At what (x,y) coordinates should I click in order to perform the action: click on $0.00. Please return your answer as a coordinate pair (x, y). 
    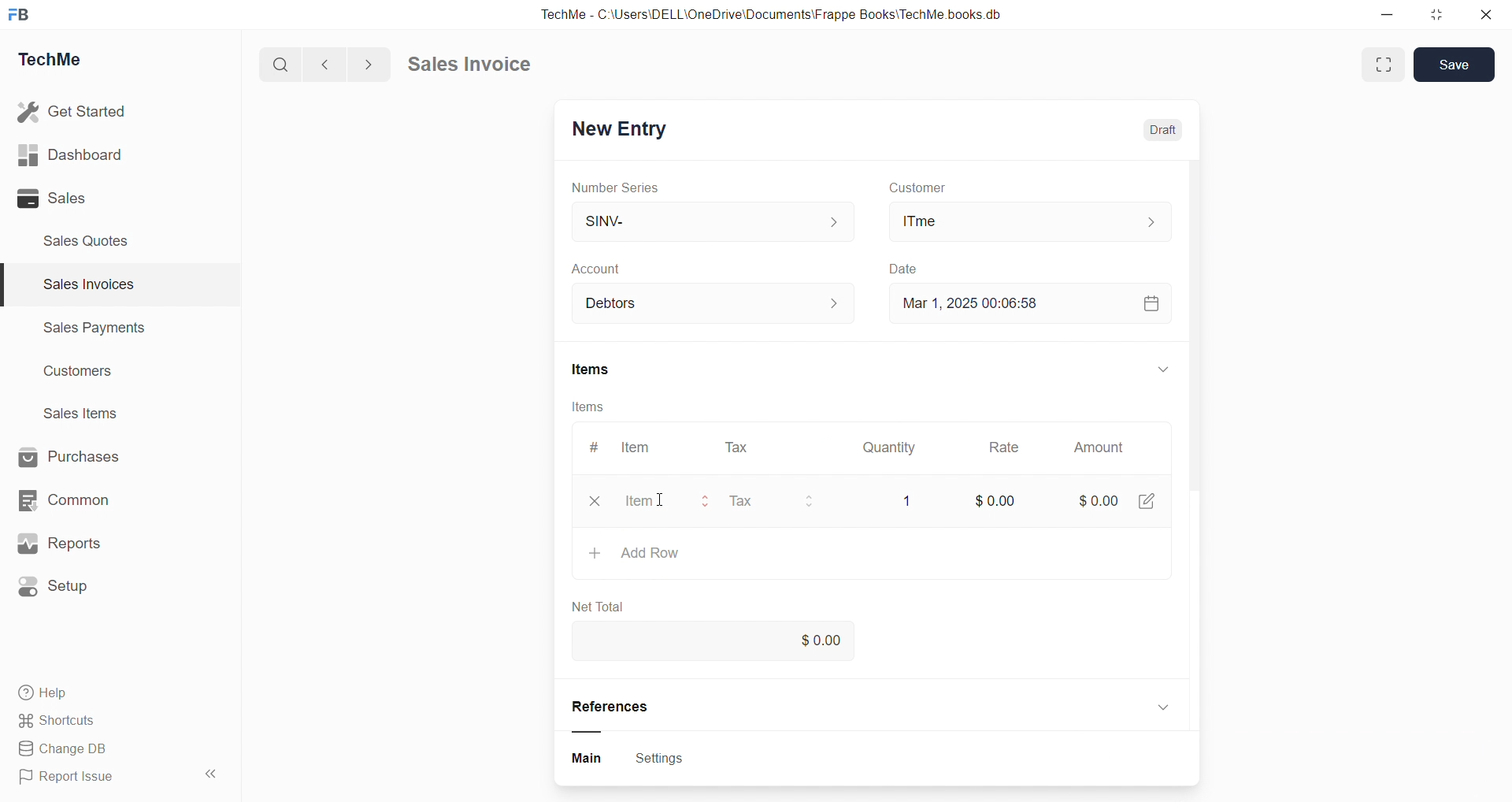
    Looking at the image, I should click on (813, 640).